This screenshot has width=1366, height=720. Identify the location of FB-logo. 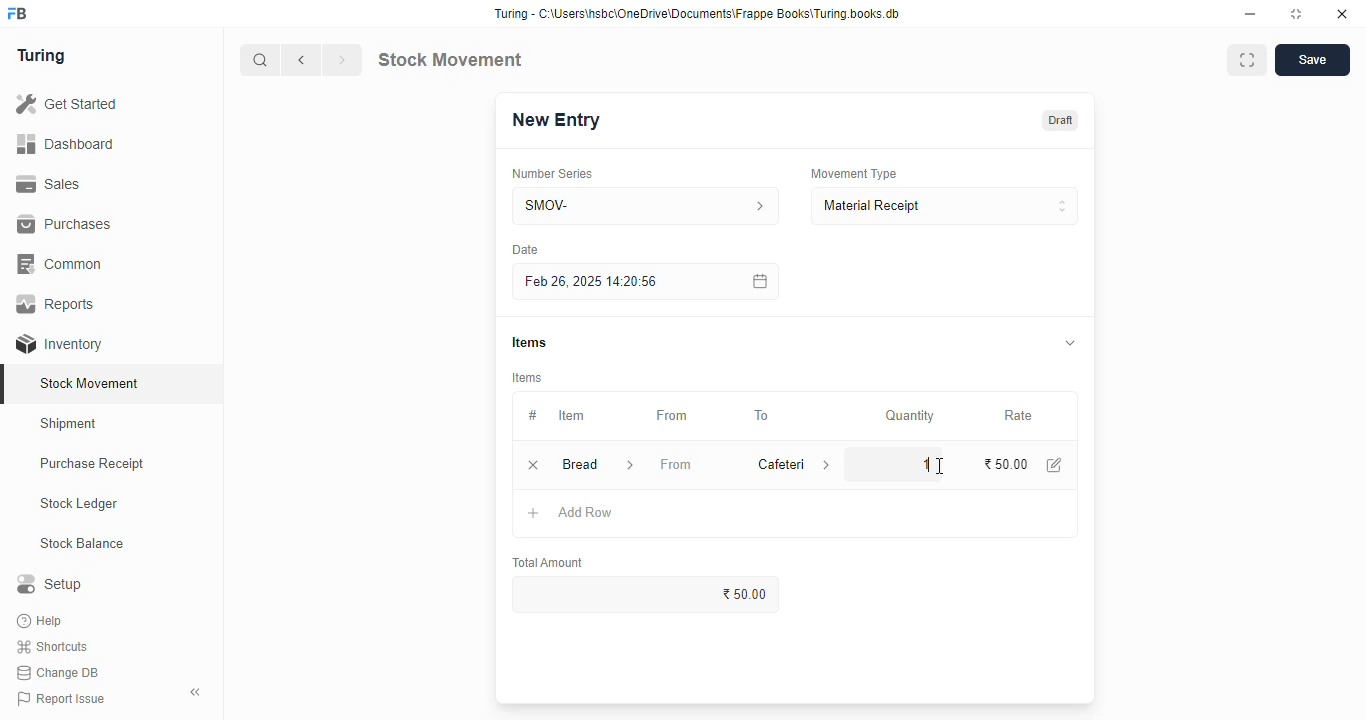
(17, 13).